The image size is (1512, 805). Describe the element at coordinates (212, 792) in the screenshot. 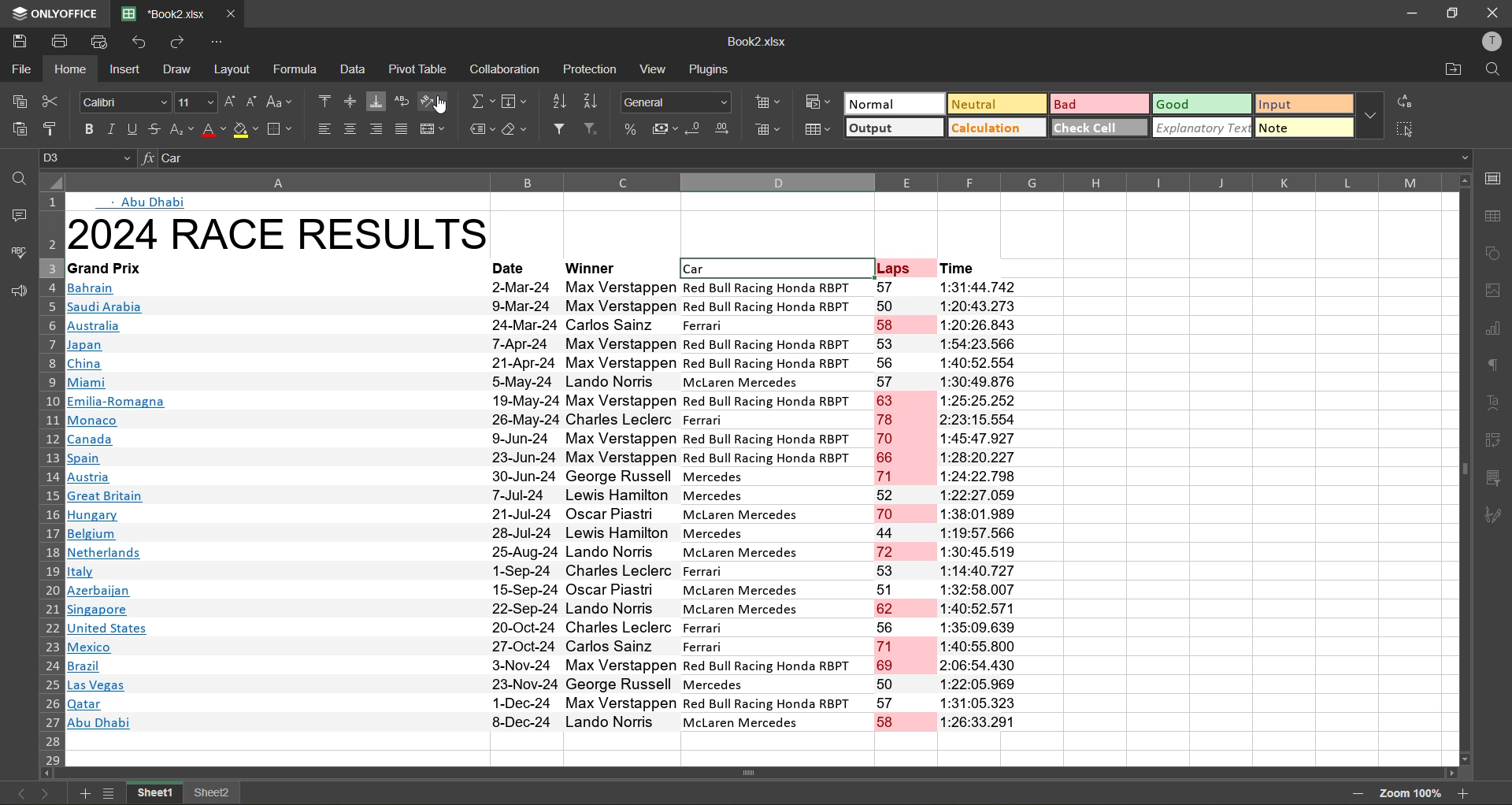

I see `sheet 2` at that location.